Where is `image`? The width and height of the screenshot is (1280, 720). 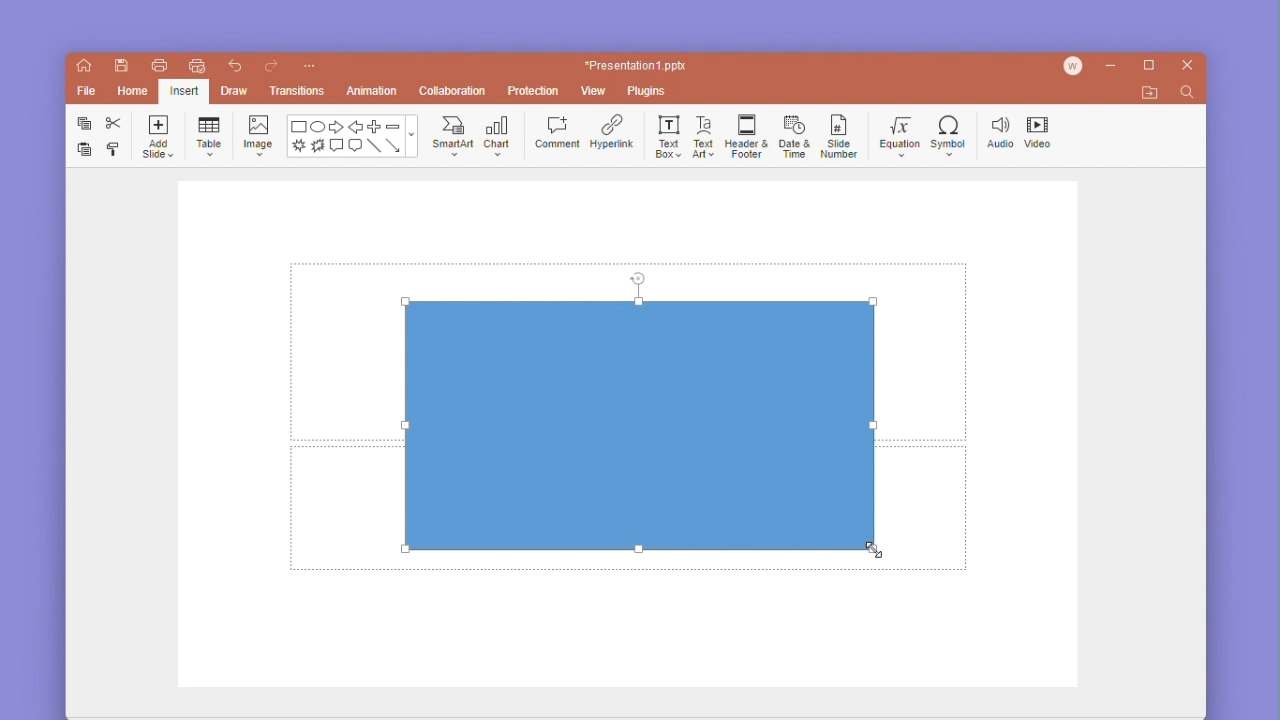 image is located at coordinates (258, 135).